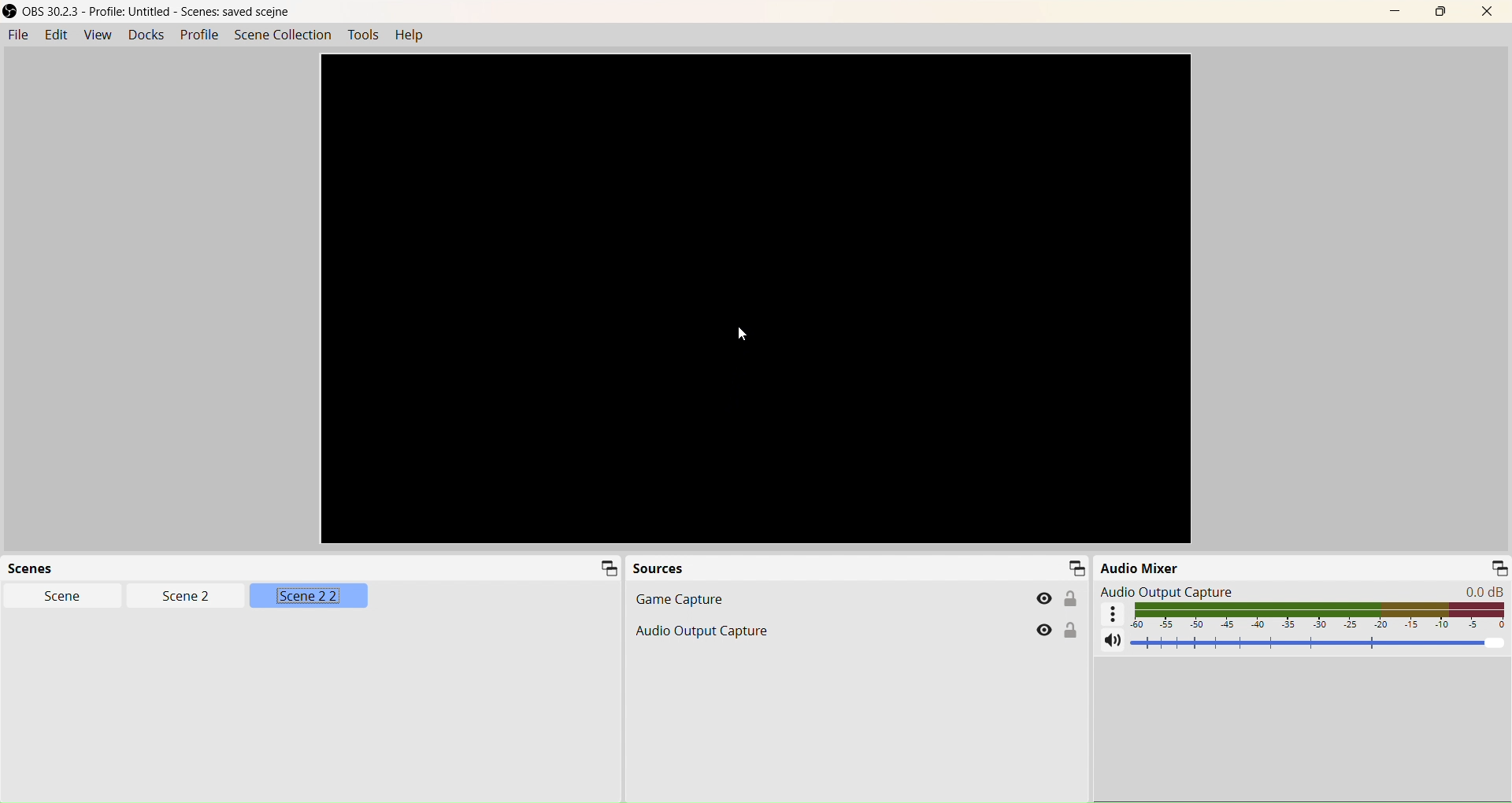 Image resolution: width=1512 pixels, height=803 pixels. I want to click on Lock, so click(1070, 598).